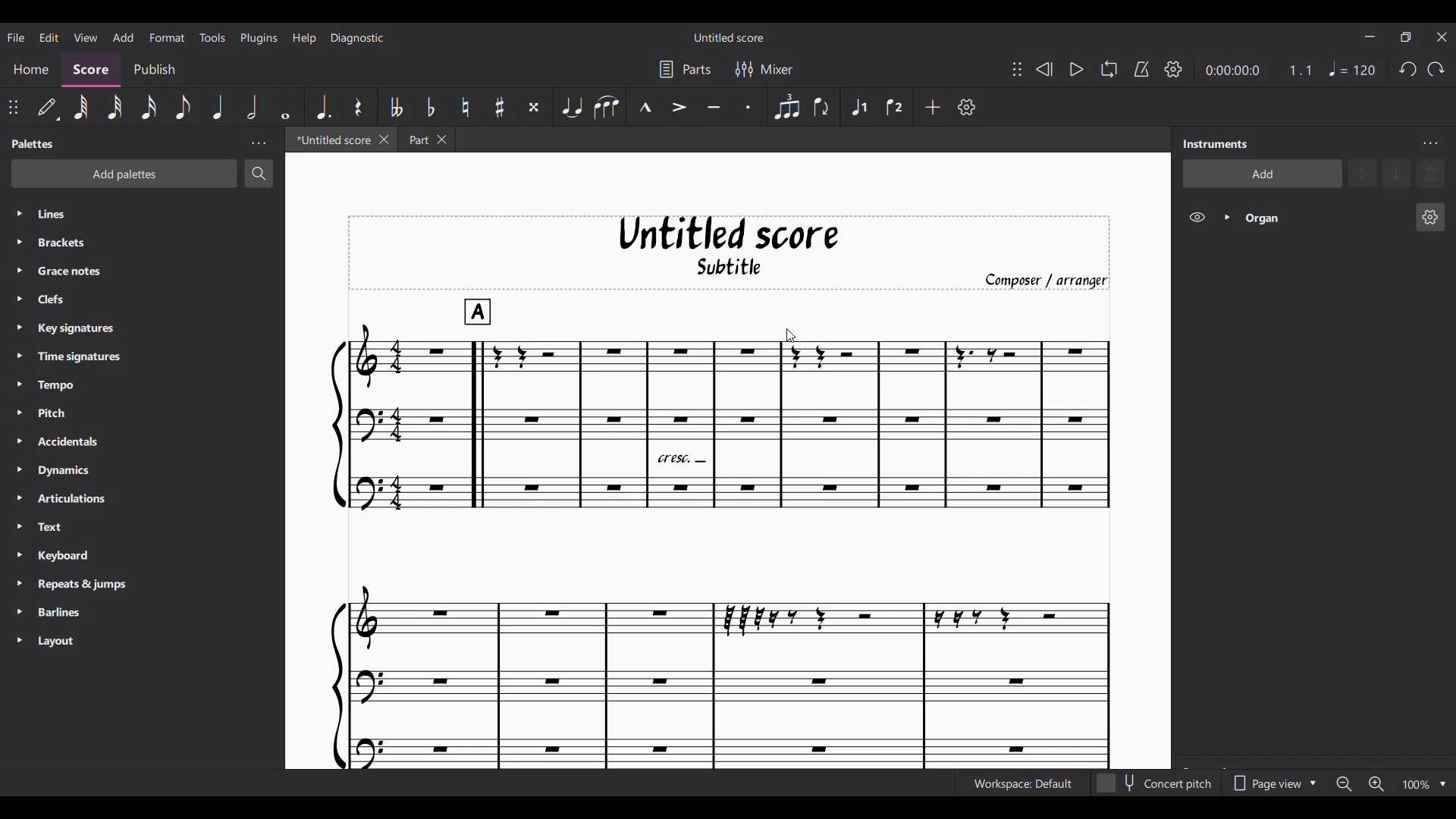 The height and width of the screenshot is (819, 1456). What do you see at coordinates (80, 108) in the screenshot?
I see `64th note` at bounding box center [80, 108].